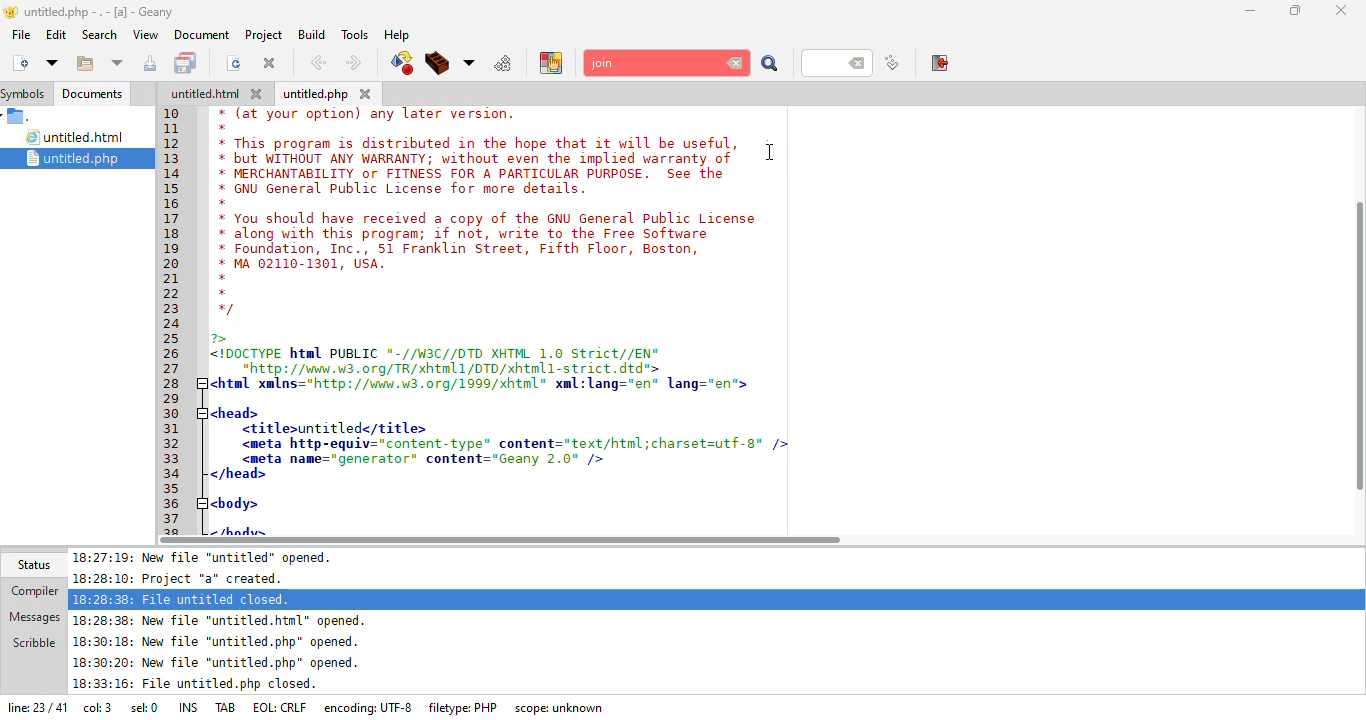 Image resolution: width=1366 pixels, height=720 pixels. I want to click on close, so click(366, 93).